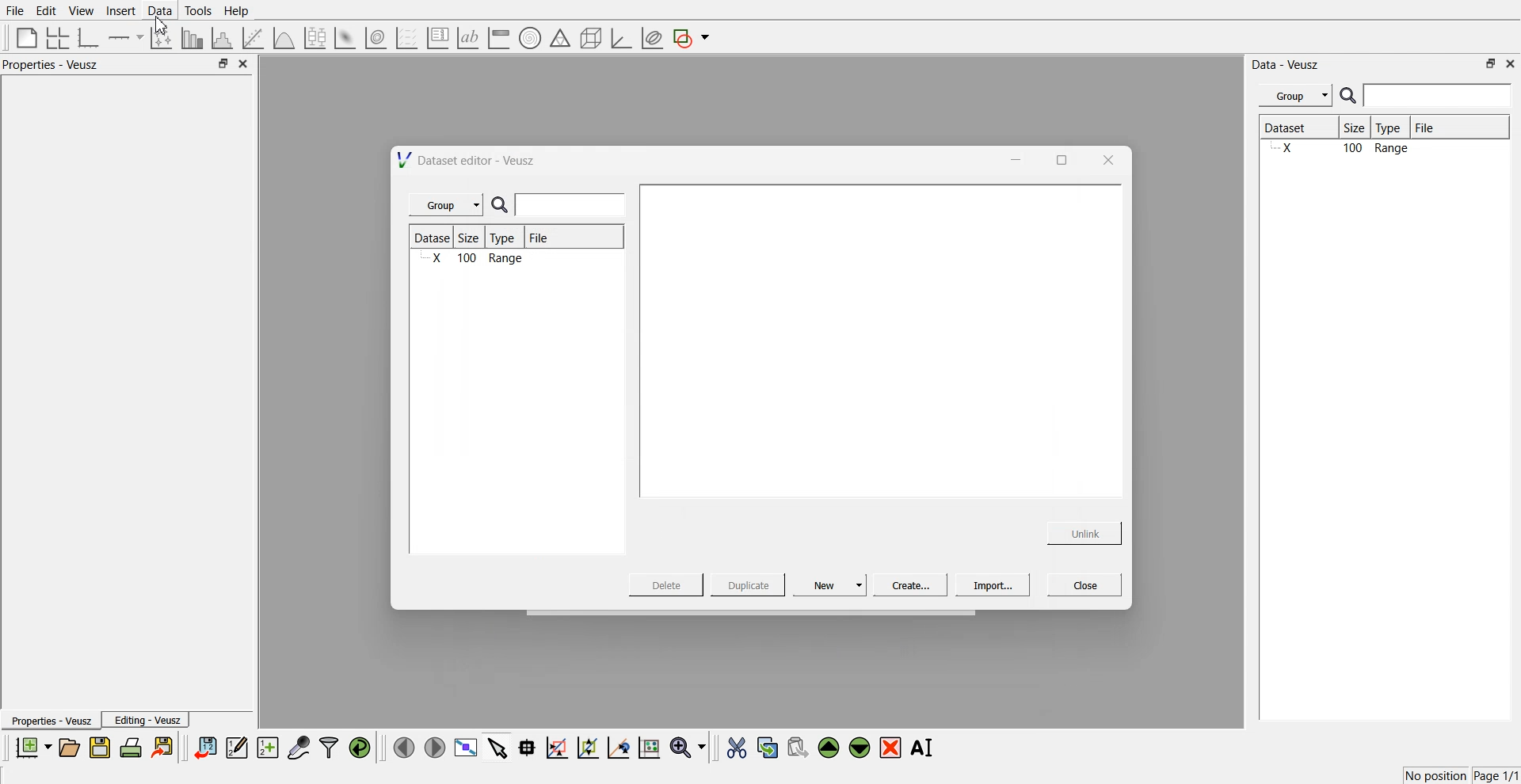 The height and width of the screenshot is (784, 1521). Describe the element at coordinates (507, 238) in the screenshot. I see `Type` at that location.